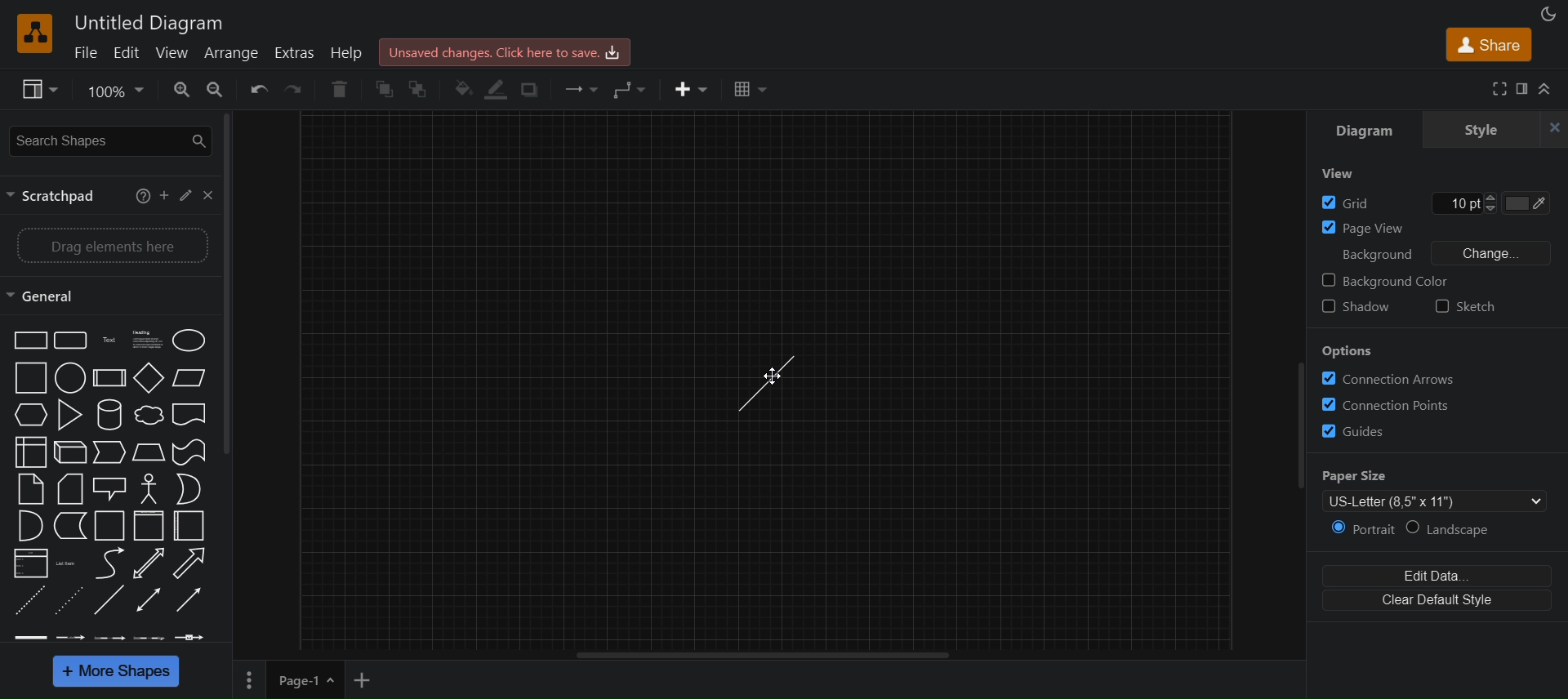 The image size is (1568, 699). I want to click on Directional connector, so click(191, 602).